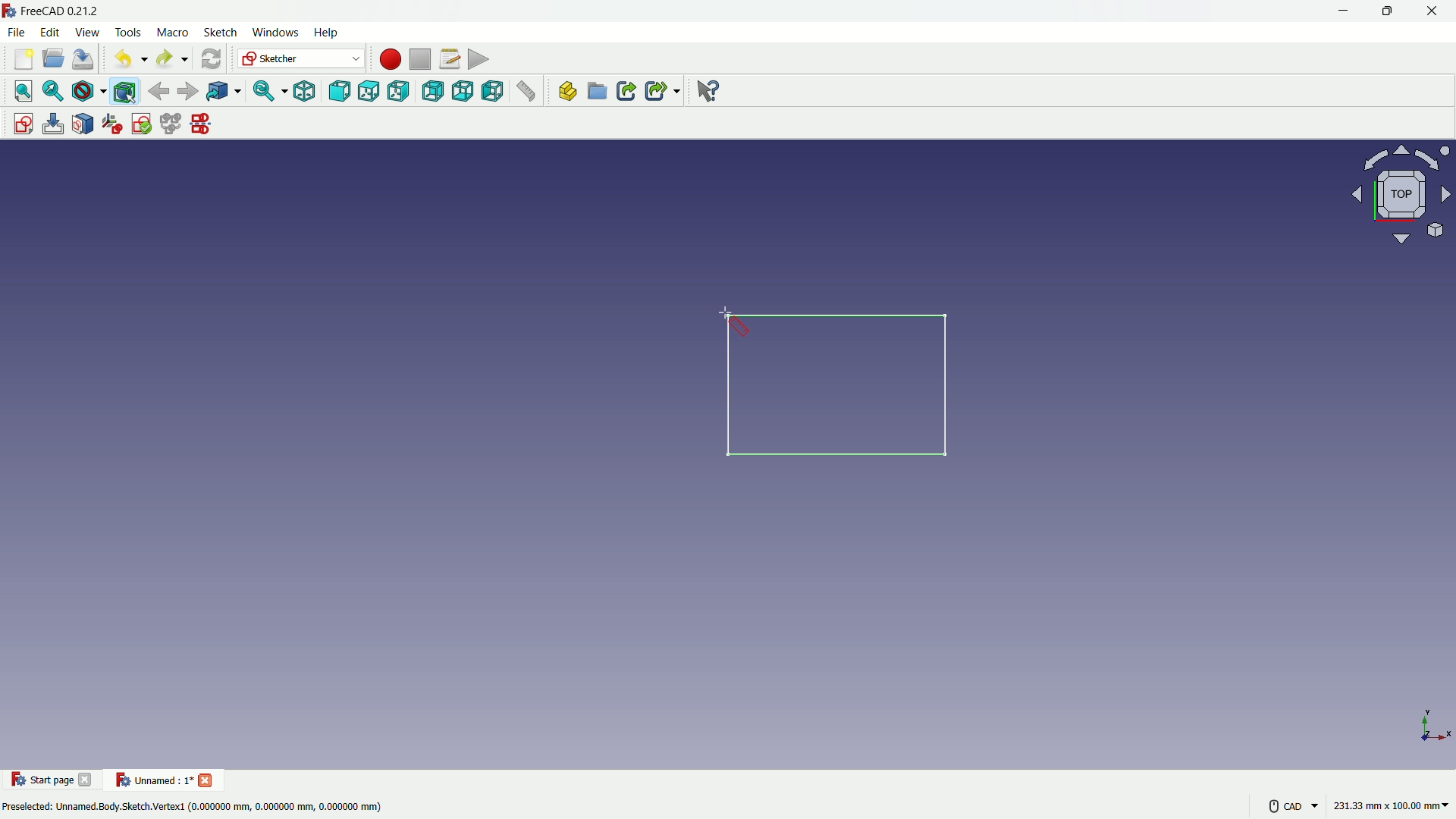 The width and height of the screenshot is (1456, 819). I want to click on FreeCAD logo, so click(9, 11).